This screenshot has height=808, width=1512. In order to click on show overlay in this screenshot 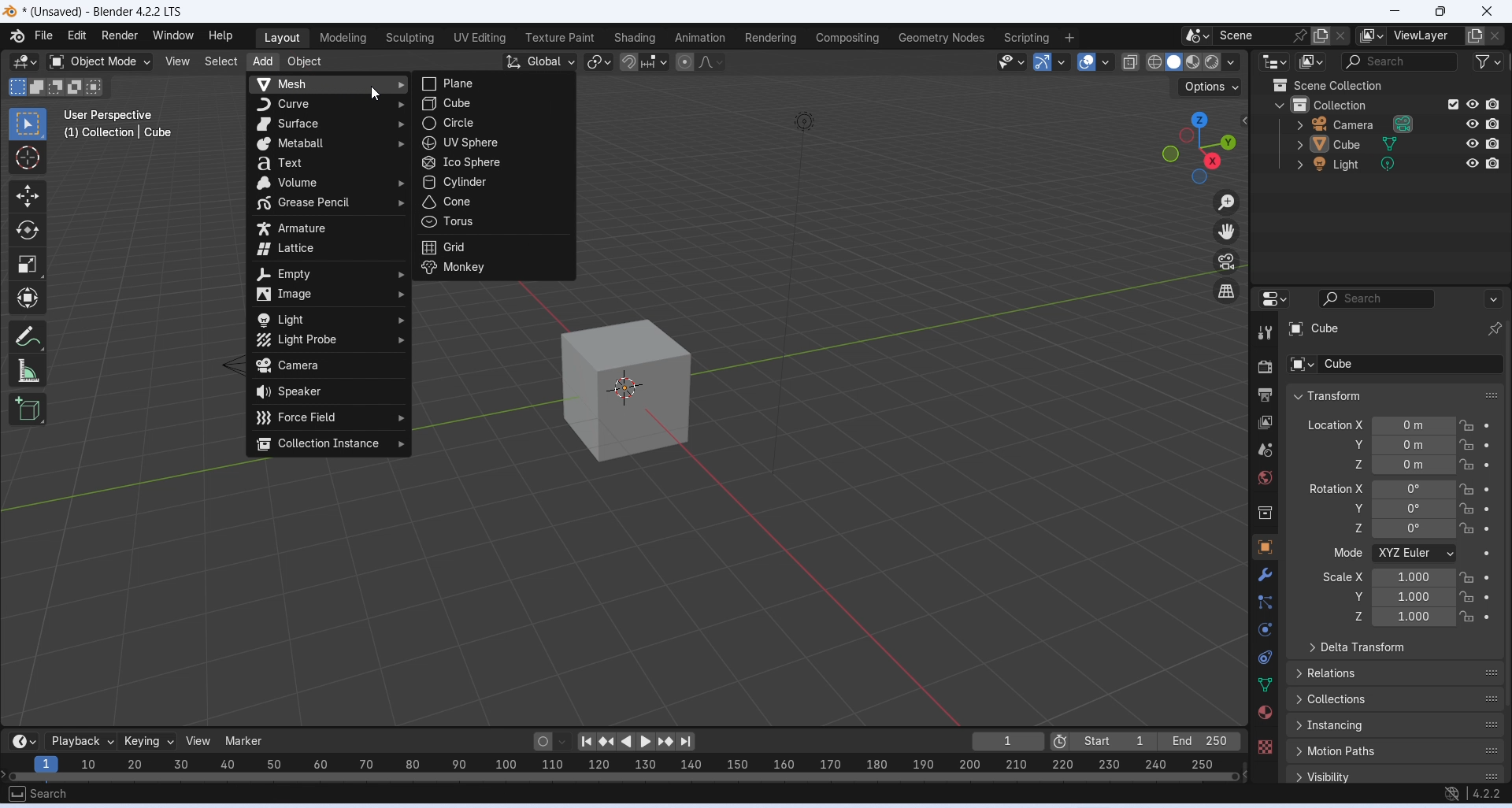, I will do `click(1086, 61)`.